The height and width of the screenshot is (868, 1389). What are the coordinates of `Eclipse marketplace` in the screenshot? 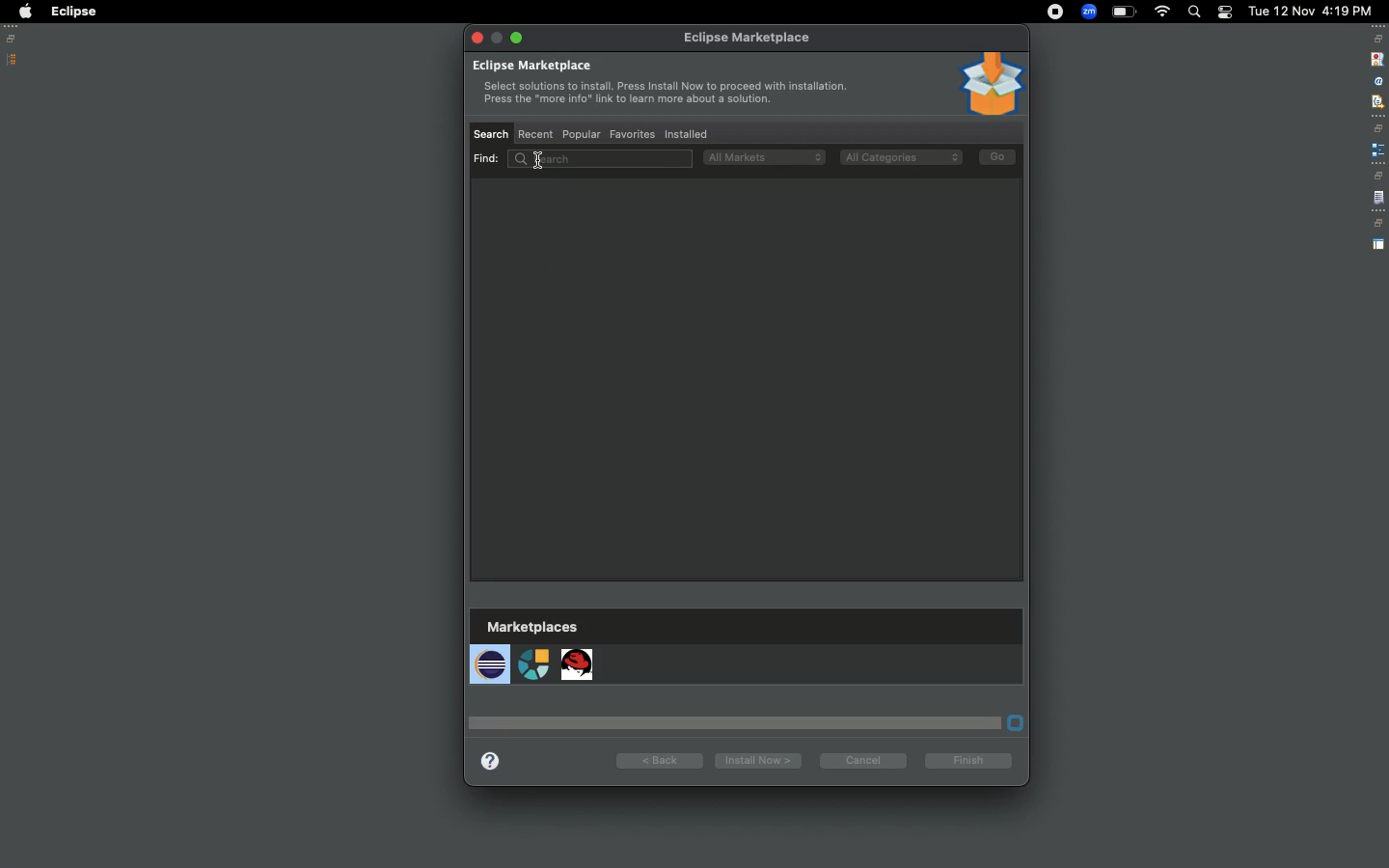 It's located at (659, 86).